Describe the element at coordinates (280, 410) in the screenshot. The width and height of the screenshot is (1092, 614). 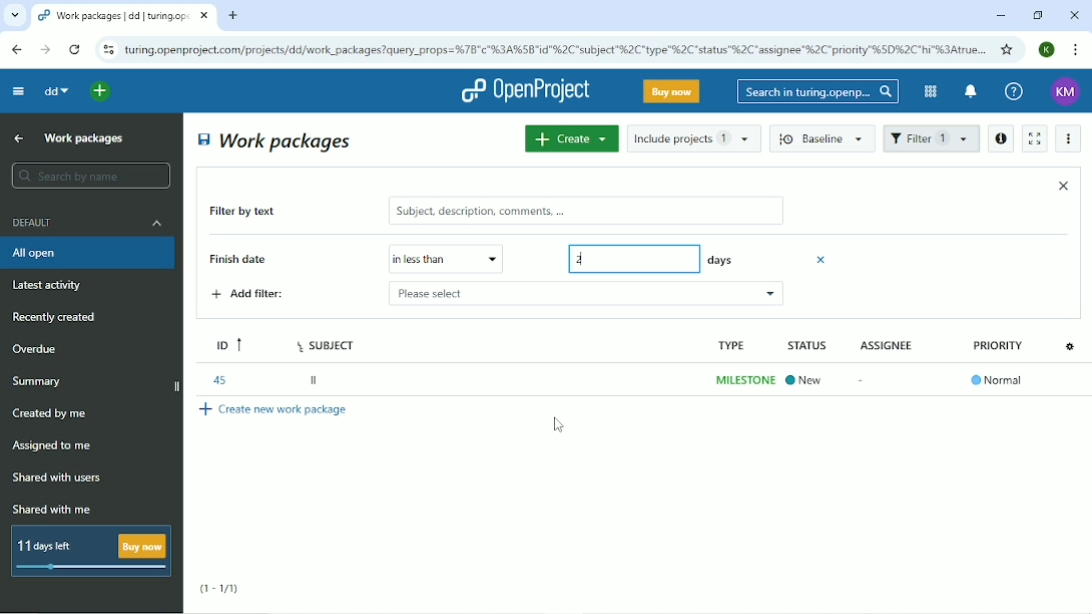
I see `Create new work package` at that location.